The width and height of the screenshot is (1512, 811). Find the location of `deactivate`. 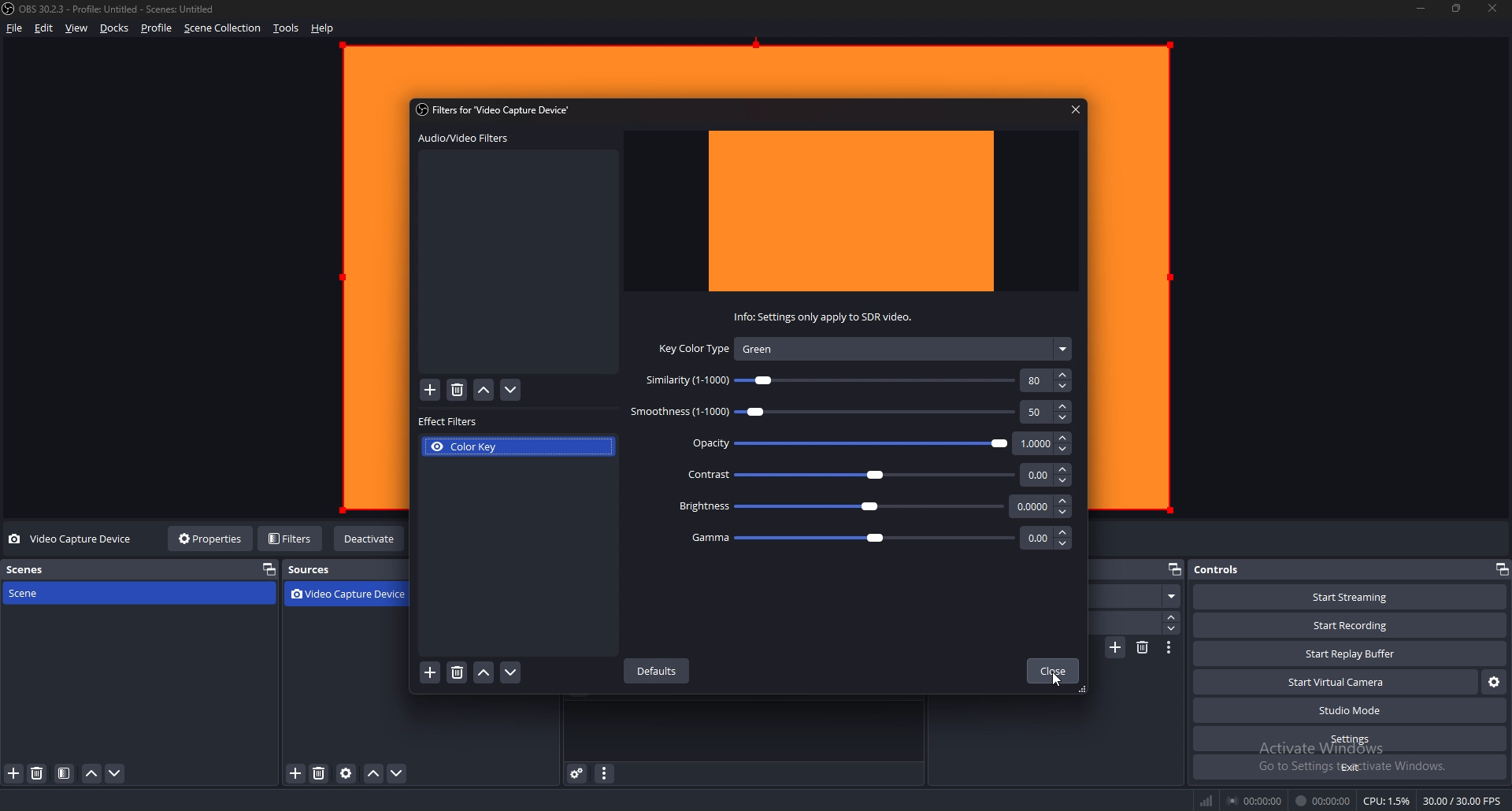

deactivate is located at coordinates (370, 539).